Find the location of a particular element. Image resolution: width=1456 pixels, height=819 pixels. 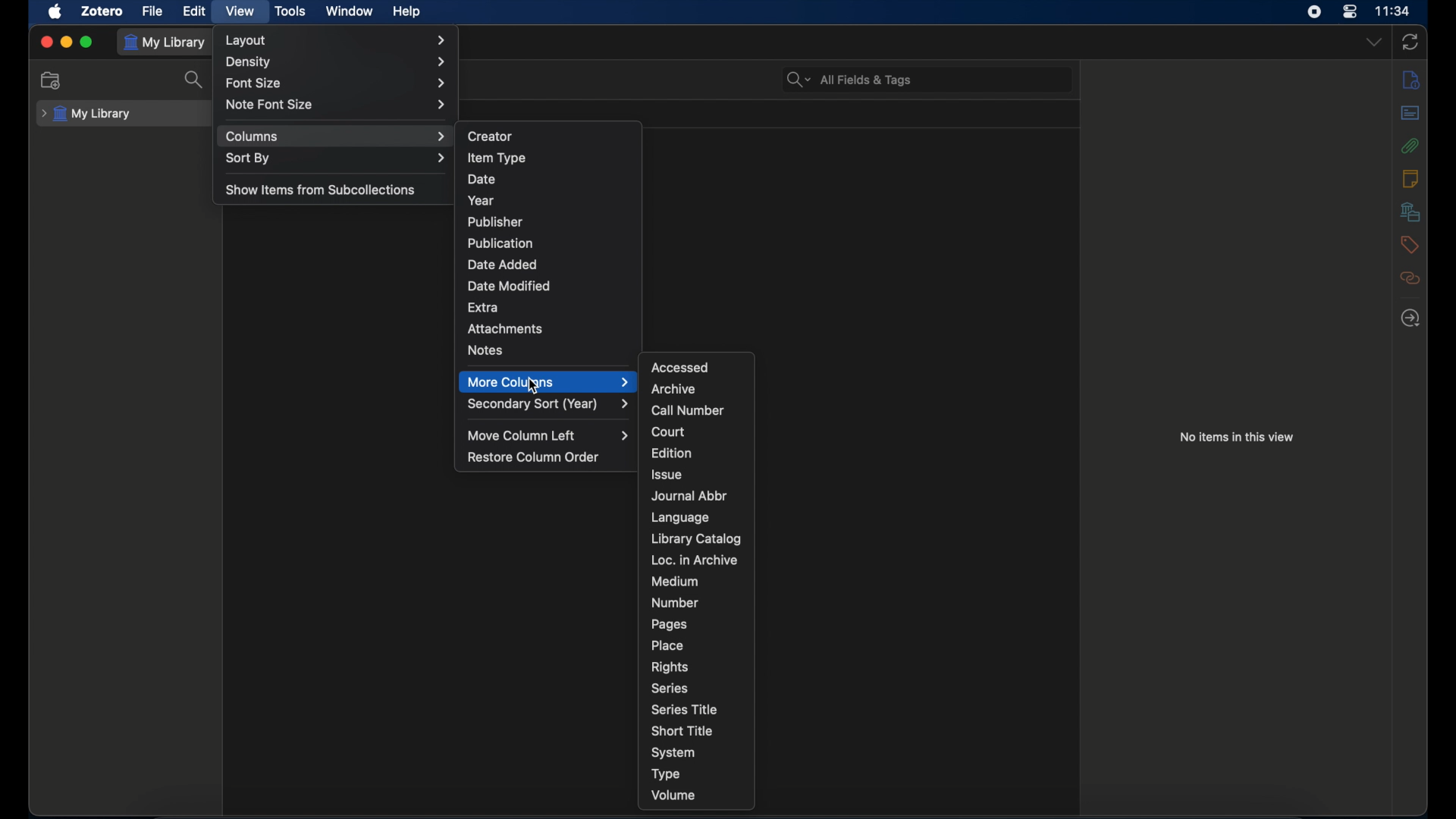

my library is located at coordinates (165, 42).